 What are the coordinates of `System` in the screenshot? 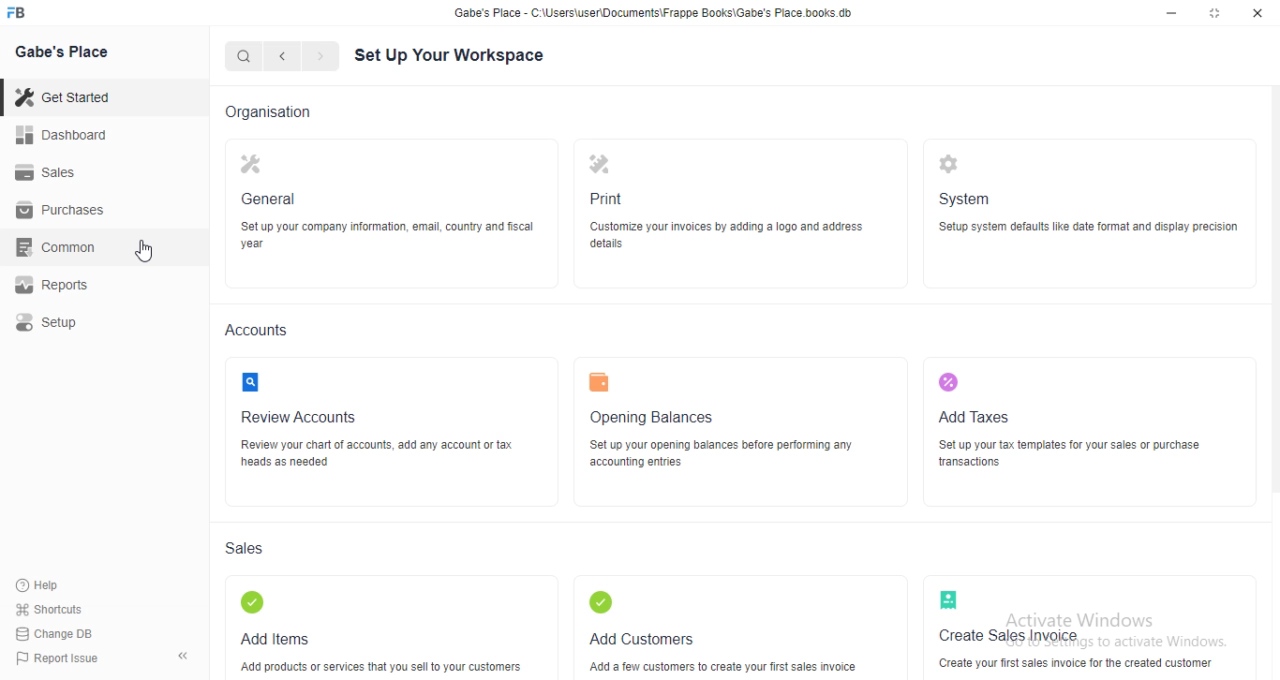 It's located at (969, 199).